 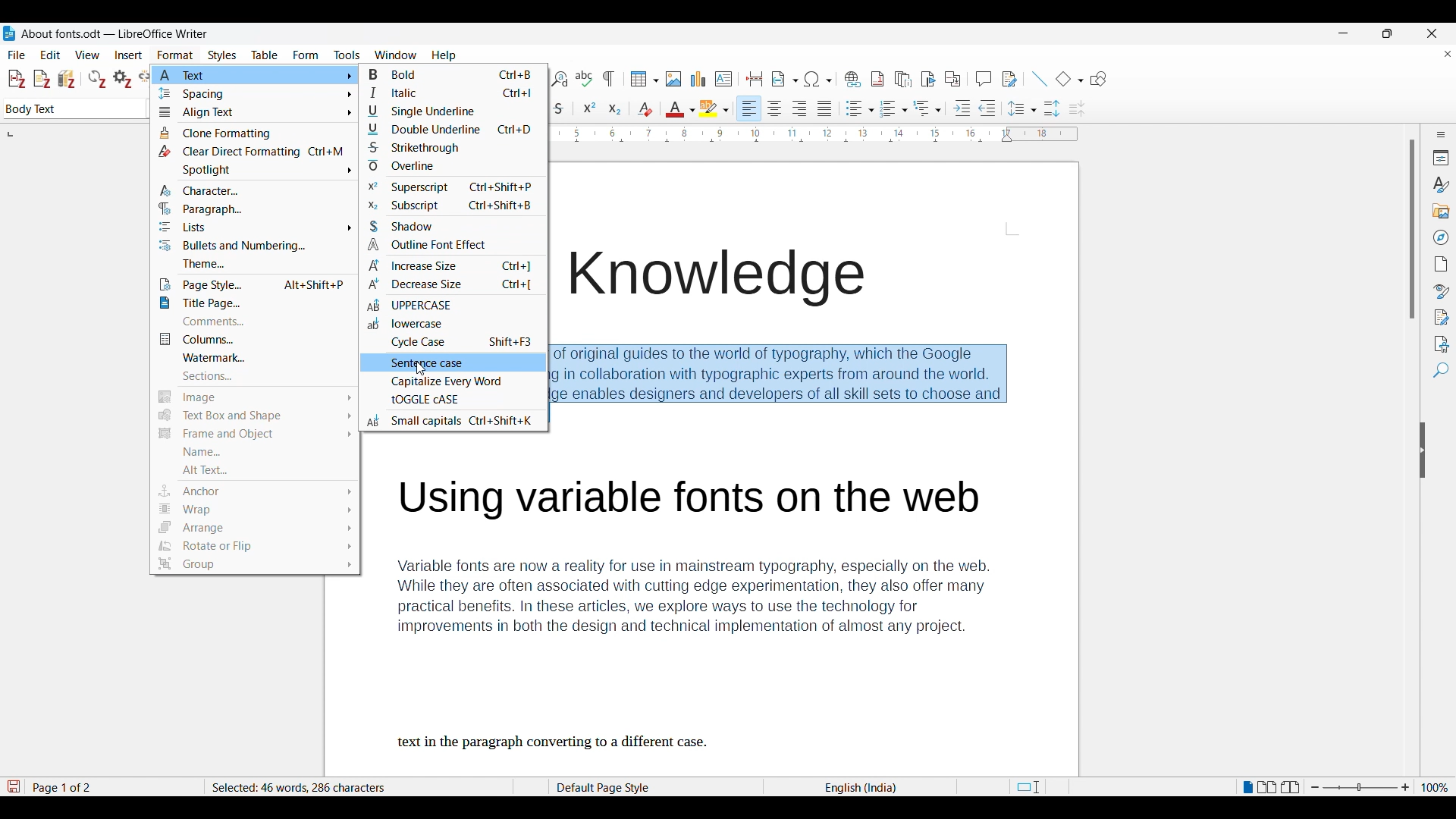 What do you see at coordinates (927, 108) in the screenshot?
I see `Select outline format` at bounding box center [927, 108].